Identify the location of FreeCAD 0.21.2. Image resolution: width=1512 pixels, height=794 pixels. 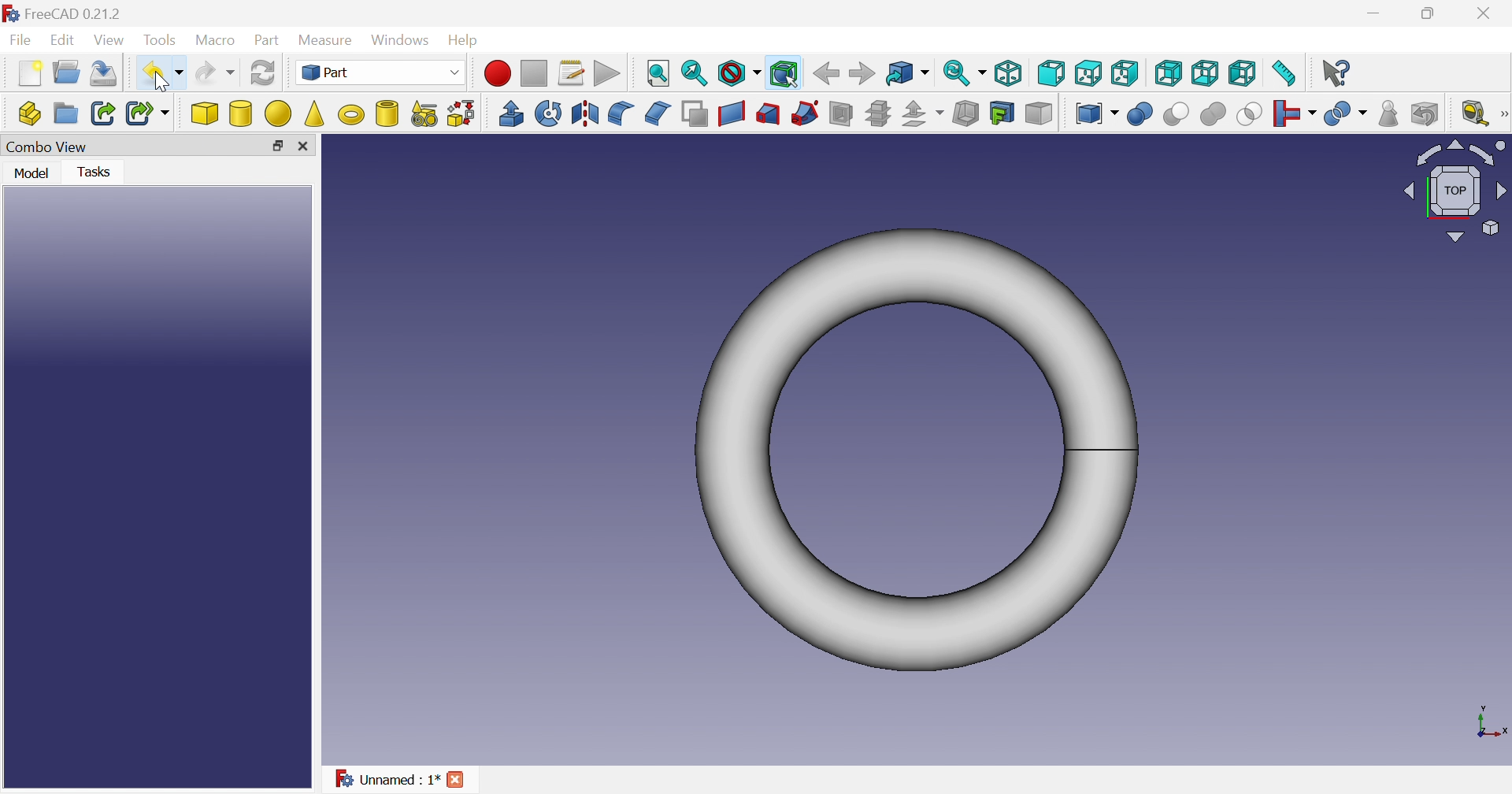
(64, 15).